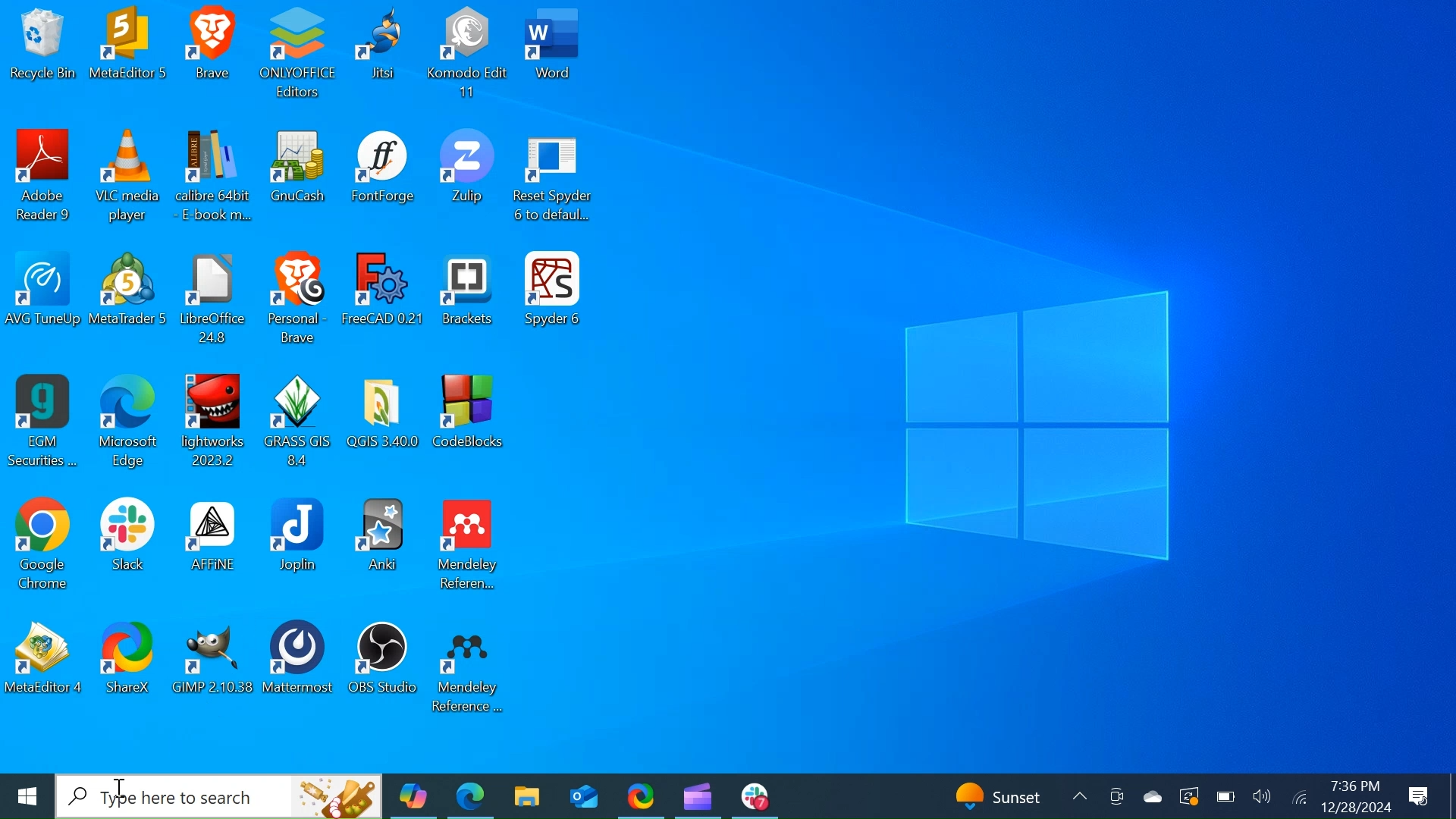 This screenshot has height=819, width=1456. I want to click on Date, so click(1354, 808).